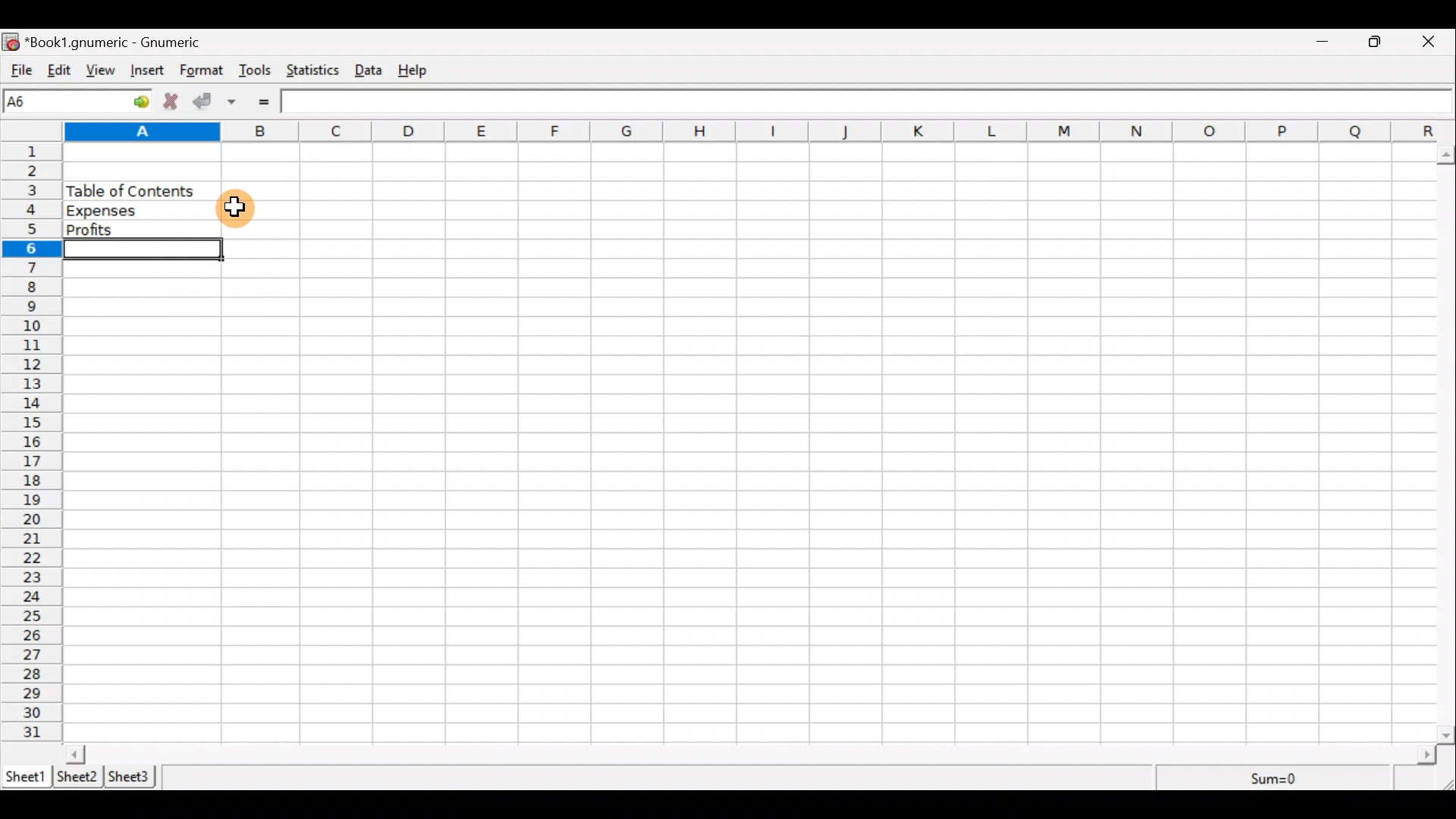 The image size is (1456, 819). What do you see at coordinates (865, 100) in the screenshot?
I see `Formula bar` at bounding box center [865, 100].